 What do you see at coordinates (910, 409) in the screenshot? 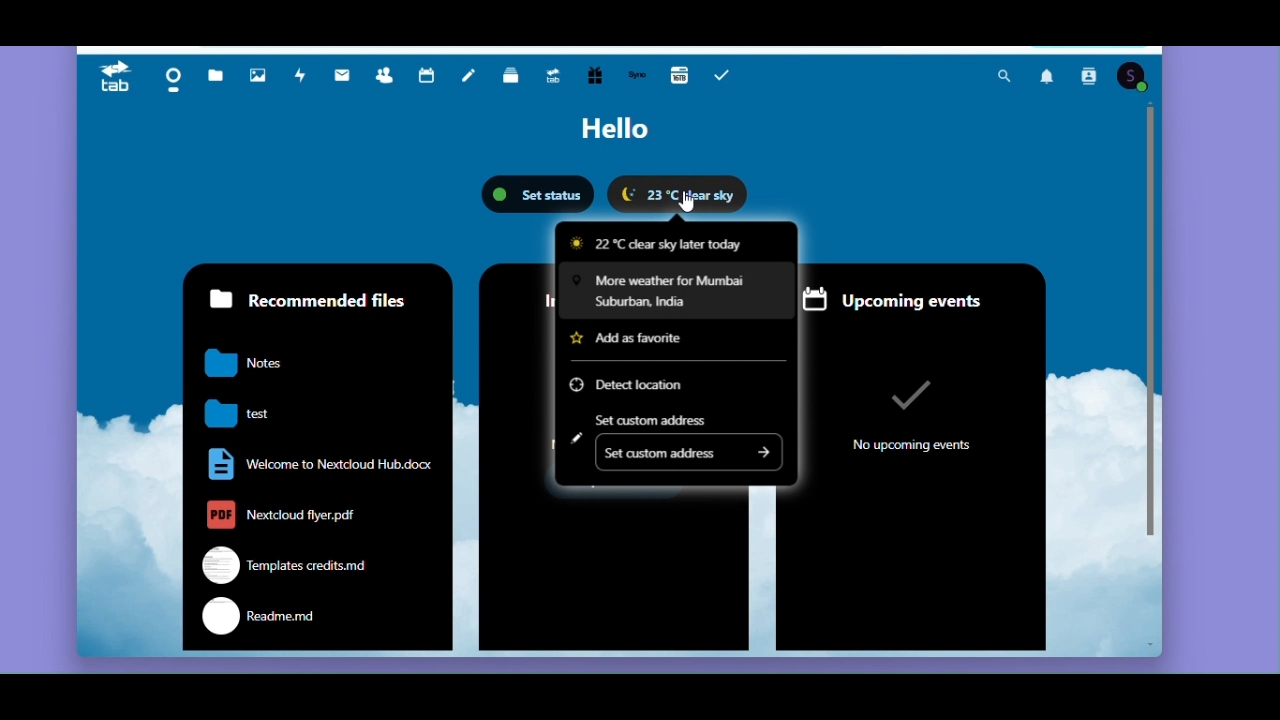
I see `no upcoming events` at bounding box center [910, 409].